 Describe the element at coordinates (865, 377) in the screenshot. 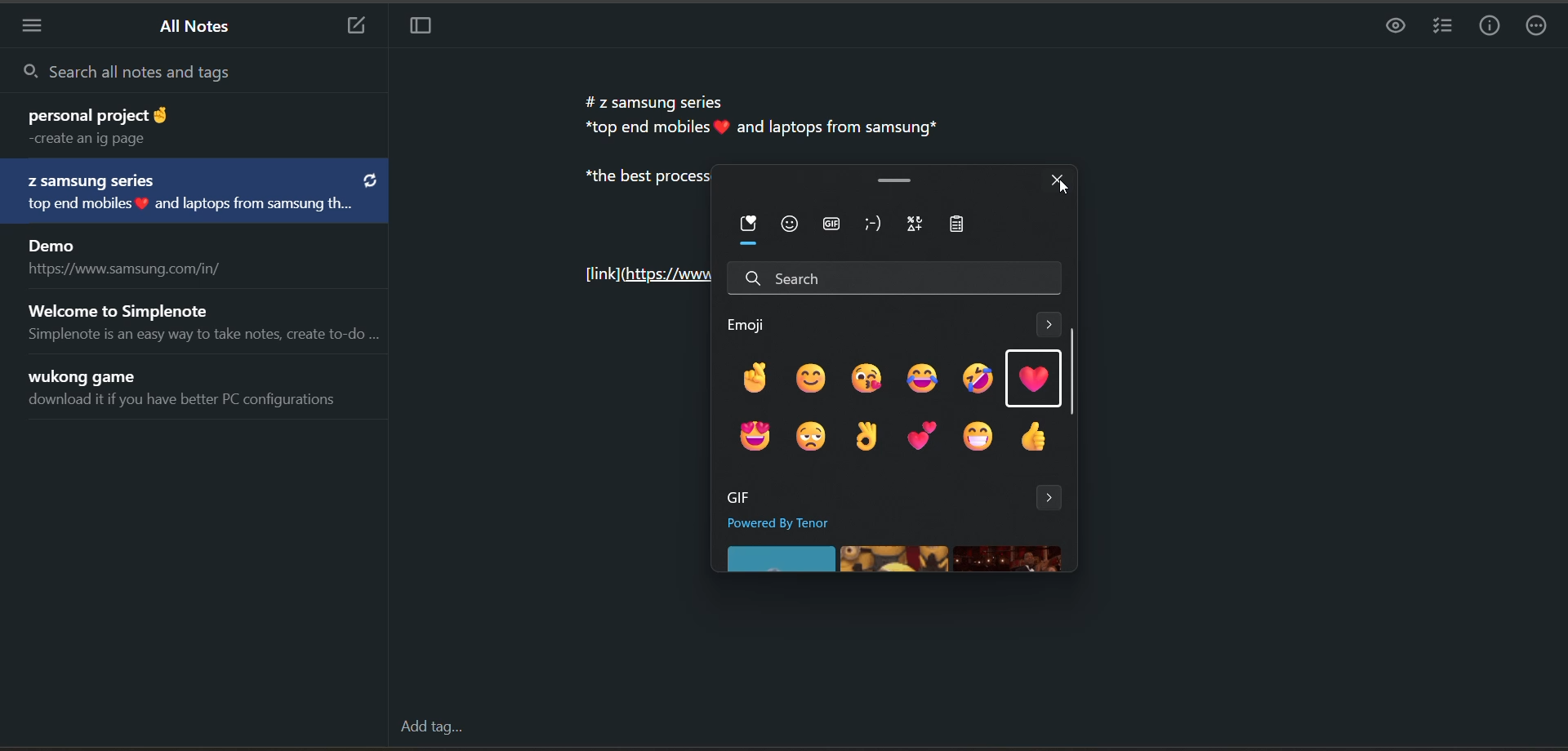

I see `emoji 3` at that location.